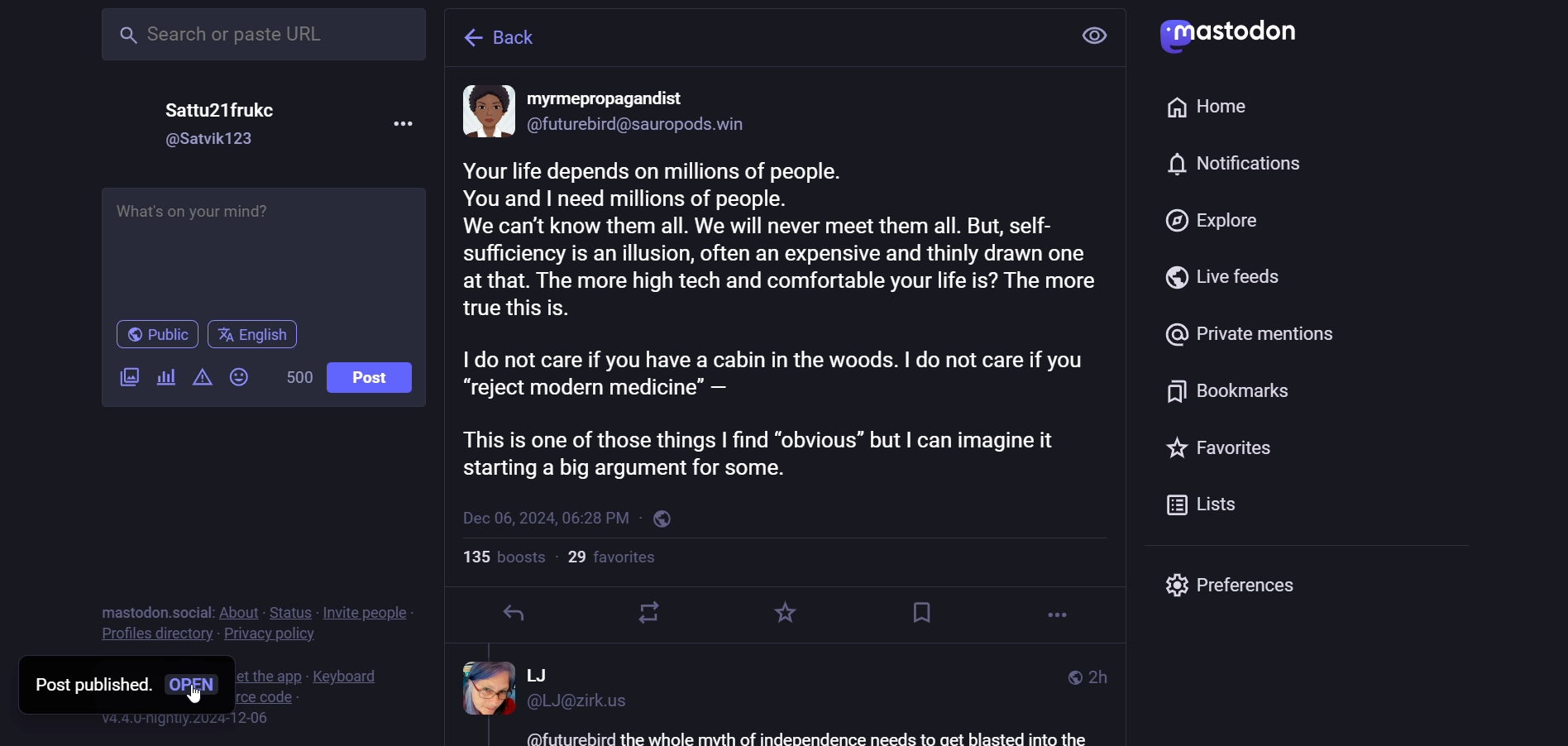 The width and height of the screenshot is (1568, 746). Describe the element at coordinates (1246, 336) in the screenshot. I see `private mention` at that location.